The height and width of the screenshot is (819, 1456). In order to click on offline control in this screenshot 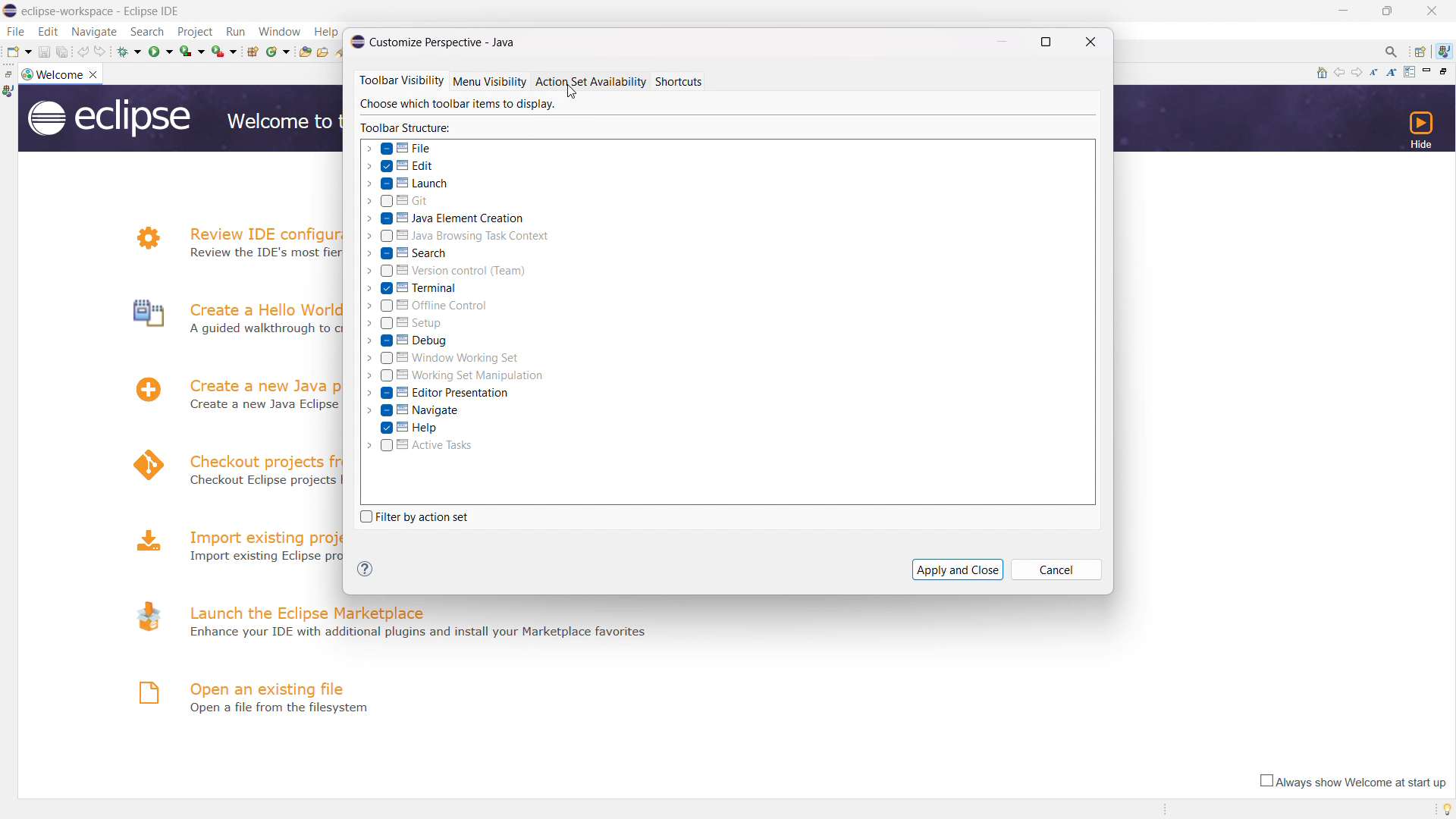, I will do `click(426, 305)`.